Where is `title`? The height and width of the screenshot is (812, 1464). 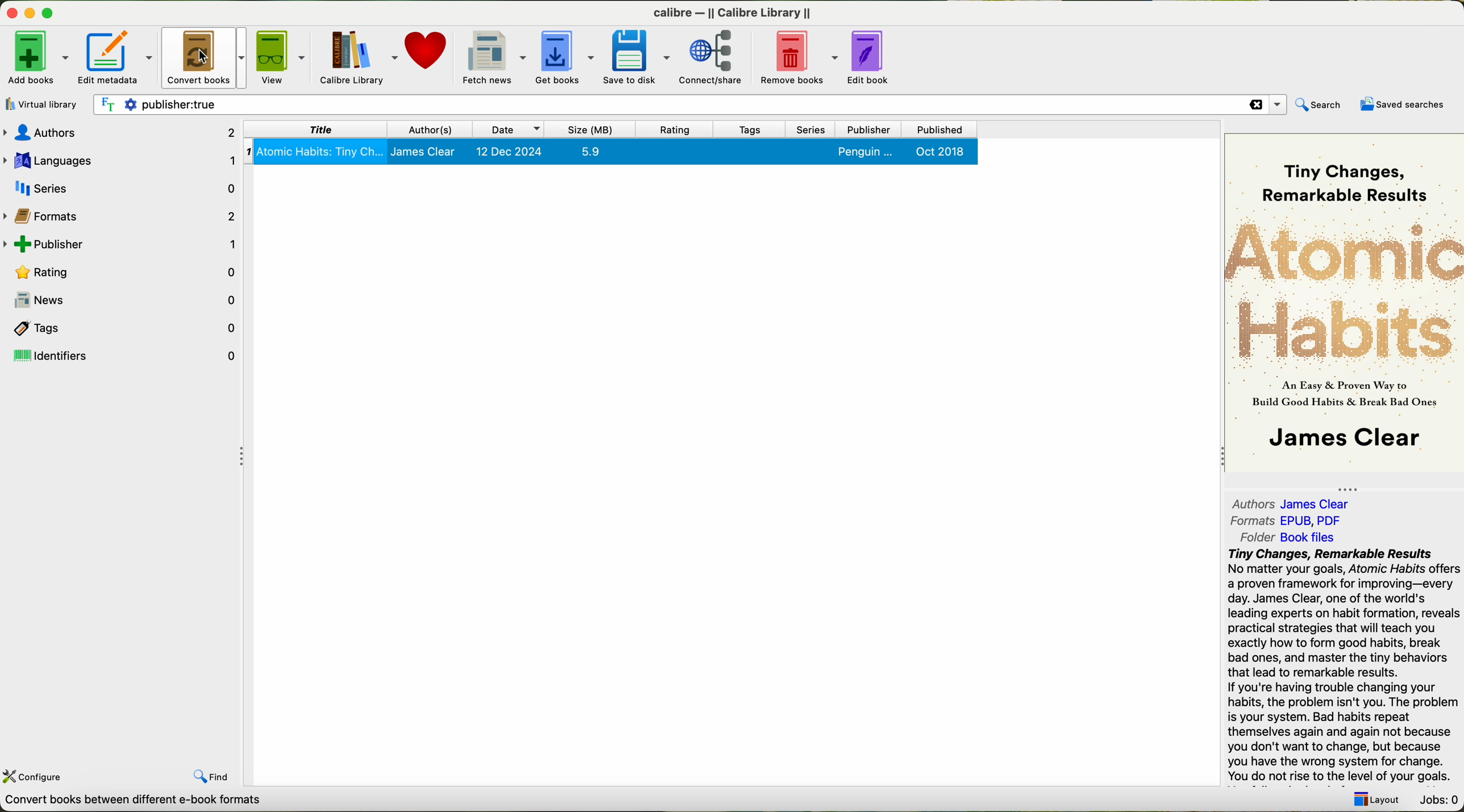 title is located at coordinates (314, 130).